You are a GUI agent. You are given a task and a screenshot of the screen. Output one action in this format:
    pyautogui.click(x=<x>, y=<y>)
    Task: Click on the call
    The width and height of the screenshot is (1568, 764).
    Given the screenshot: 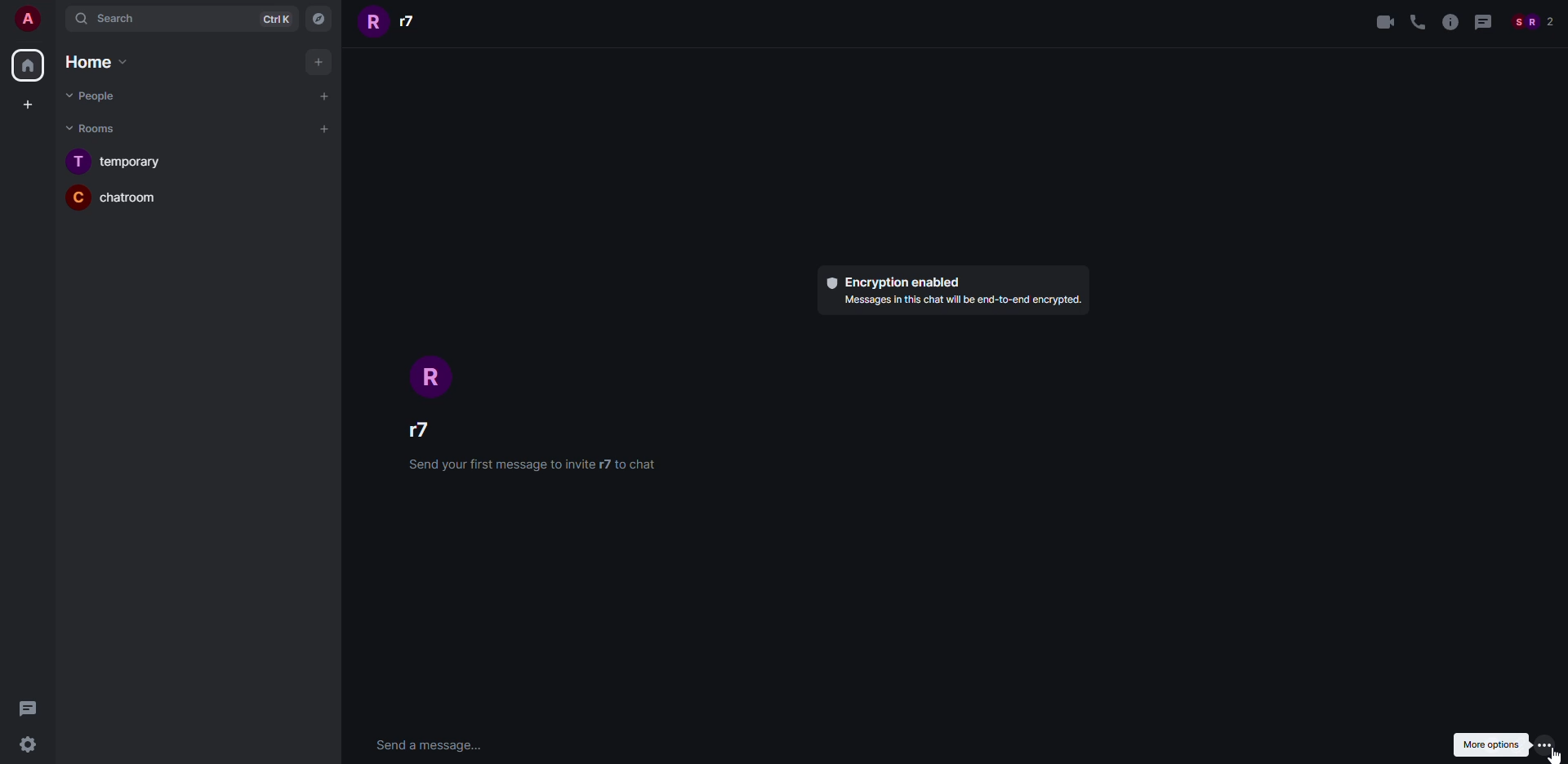 What is the action you would take?
    pyautogui.click(x=1417, y=23)
    